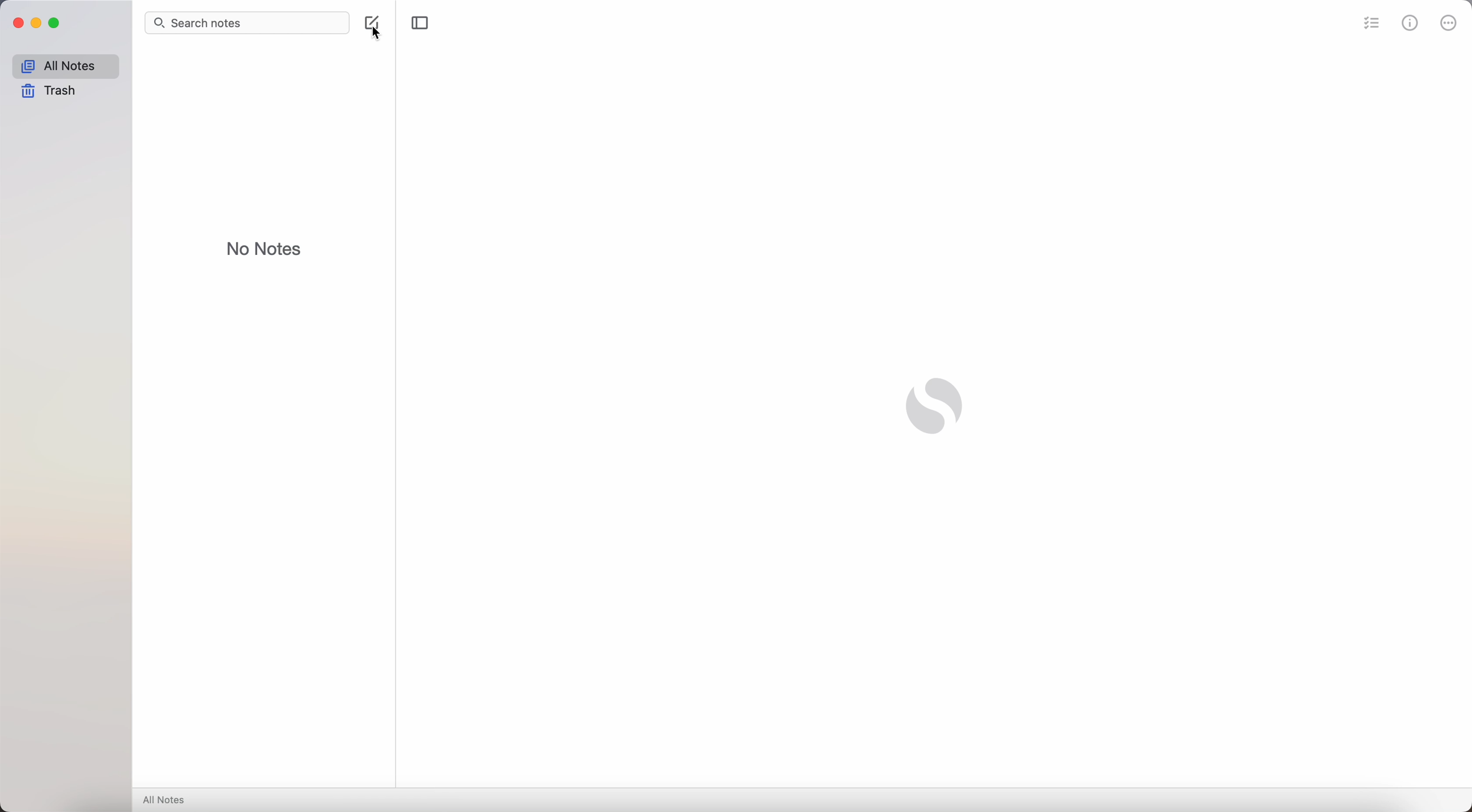 This screenshot has height=812, width=1472. What do you see at coordinates (1449, 23) in the screenshot?
I see `more options` at bounding box center [1449, 23].